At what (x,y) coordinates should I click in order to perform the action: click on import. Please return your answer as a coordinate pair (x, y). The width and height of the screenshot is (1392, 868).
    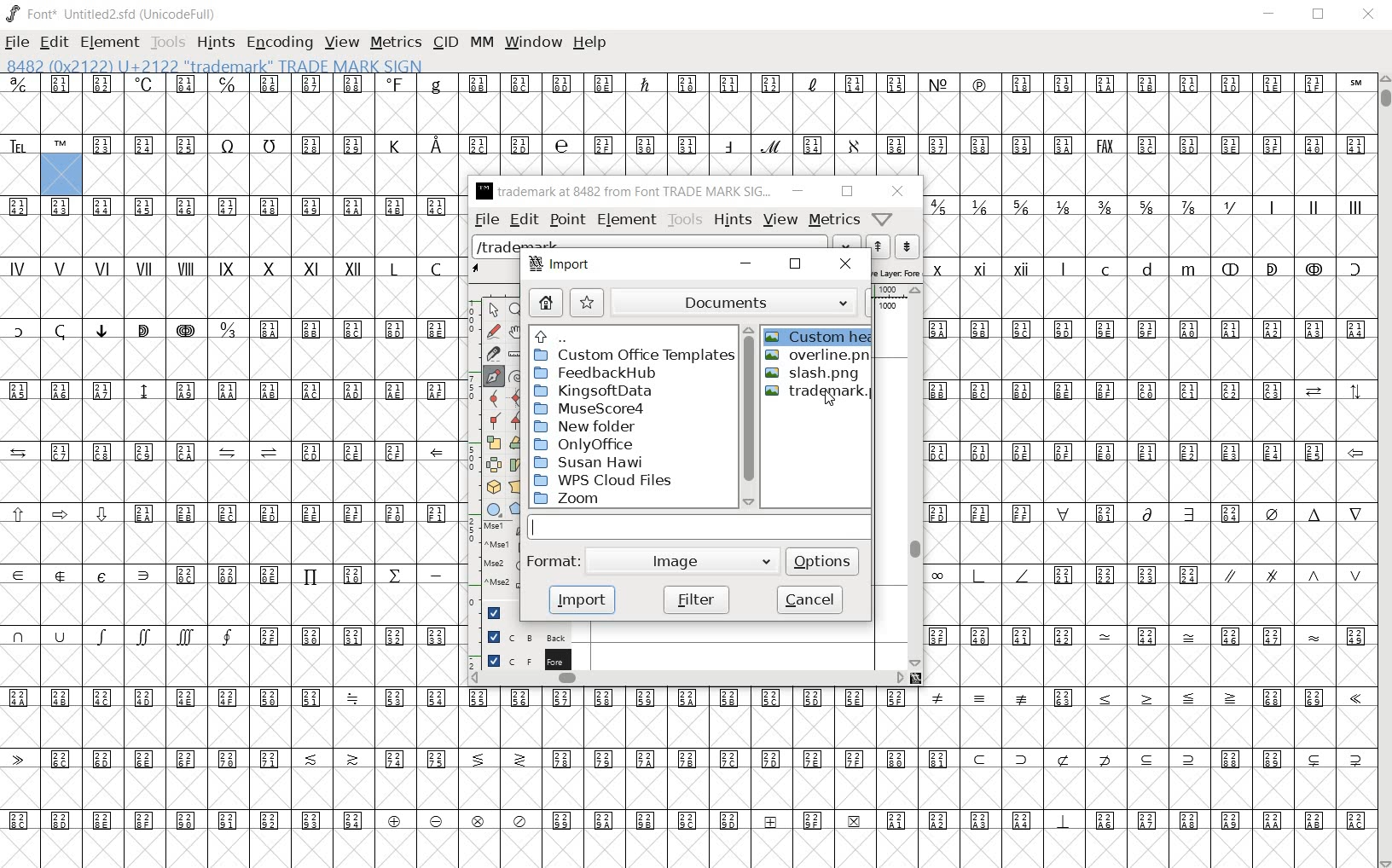
    Looking at the image, I should click on (582, 601).